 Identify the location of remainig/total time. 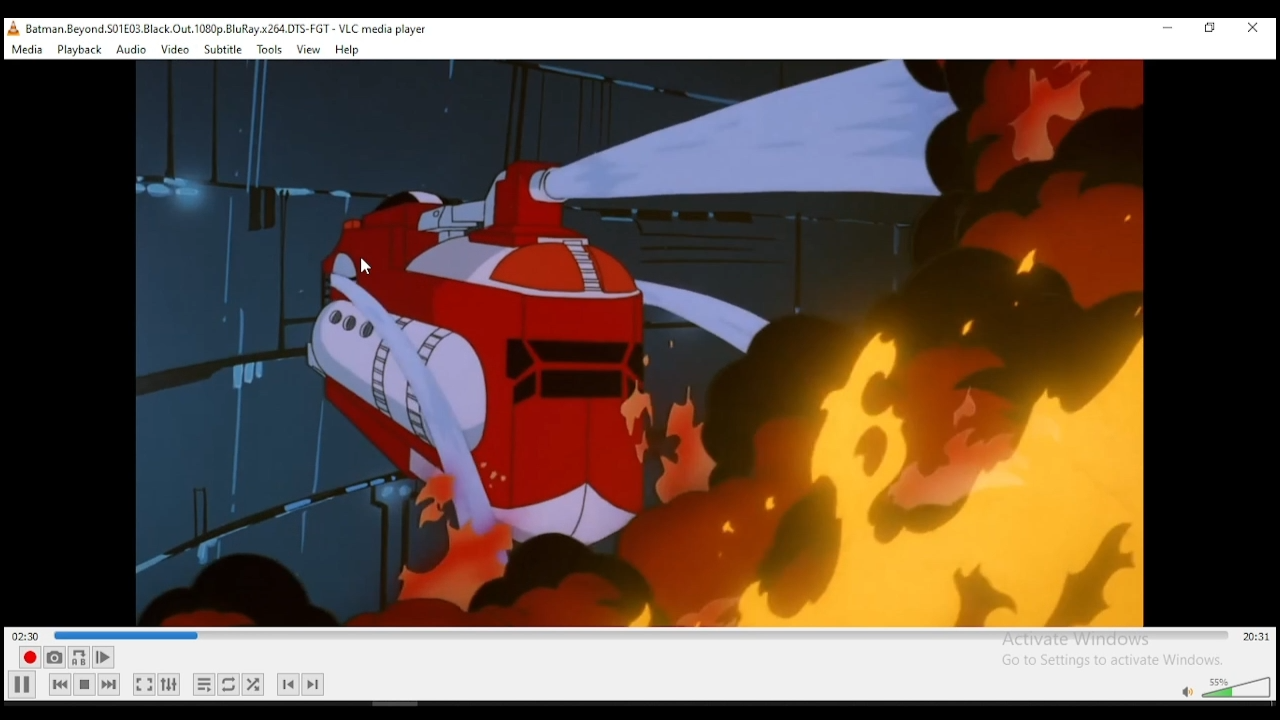
(1252, 638).